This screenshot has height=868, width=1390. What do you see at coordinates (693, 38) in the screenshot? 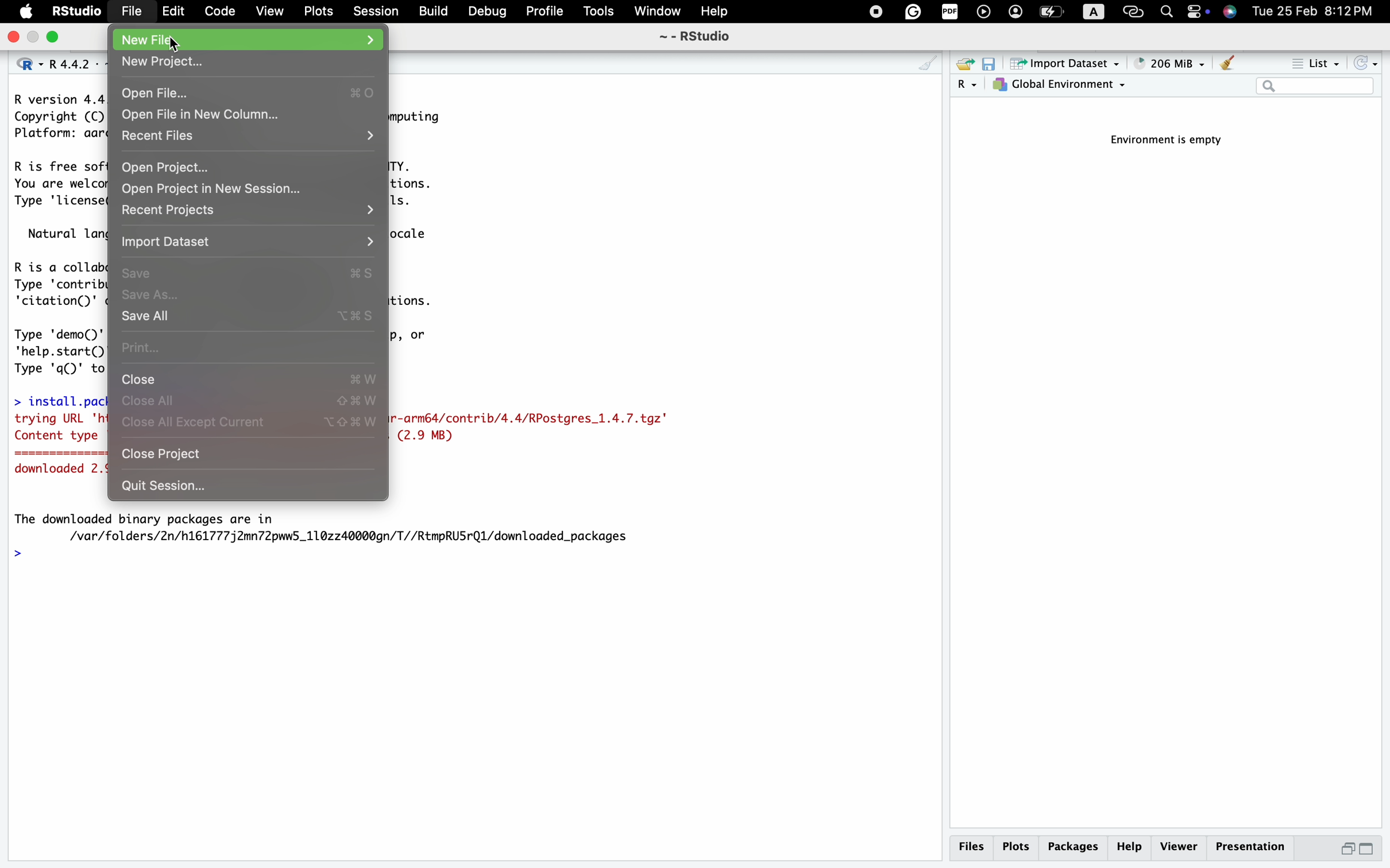
I see `~ - RSttudio` at bounding box center [693, 38].